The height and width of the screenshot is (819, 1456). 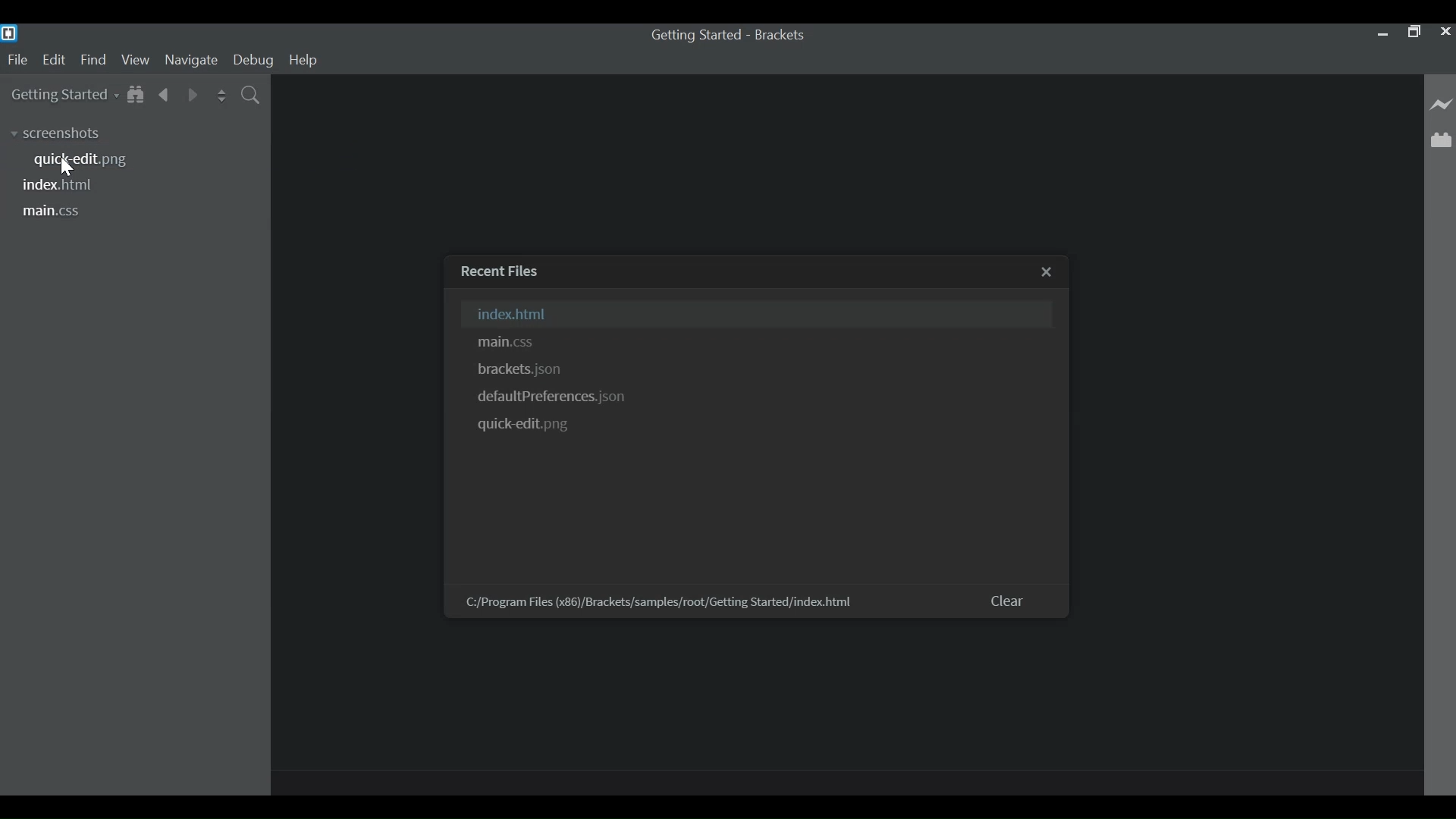 I want to click on quick-edit.png, so click(x=86, y=160).